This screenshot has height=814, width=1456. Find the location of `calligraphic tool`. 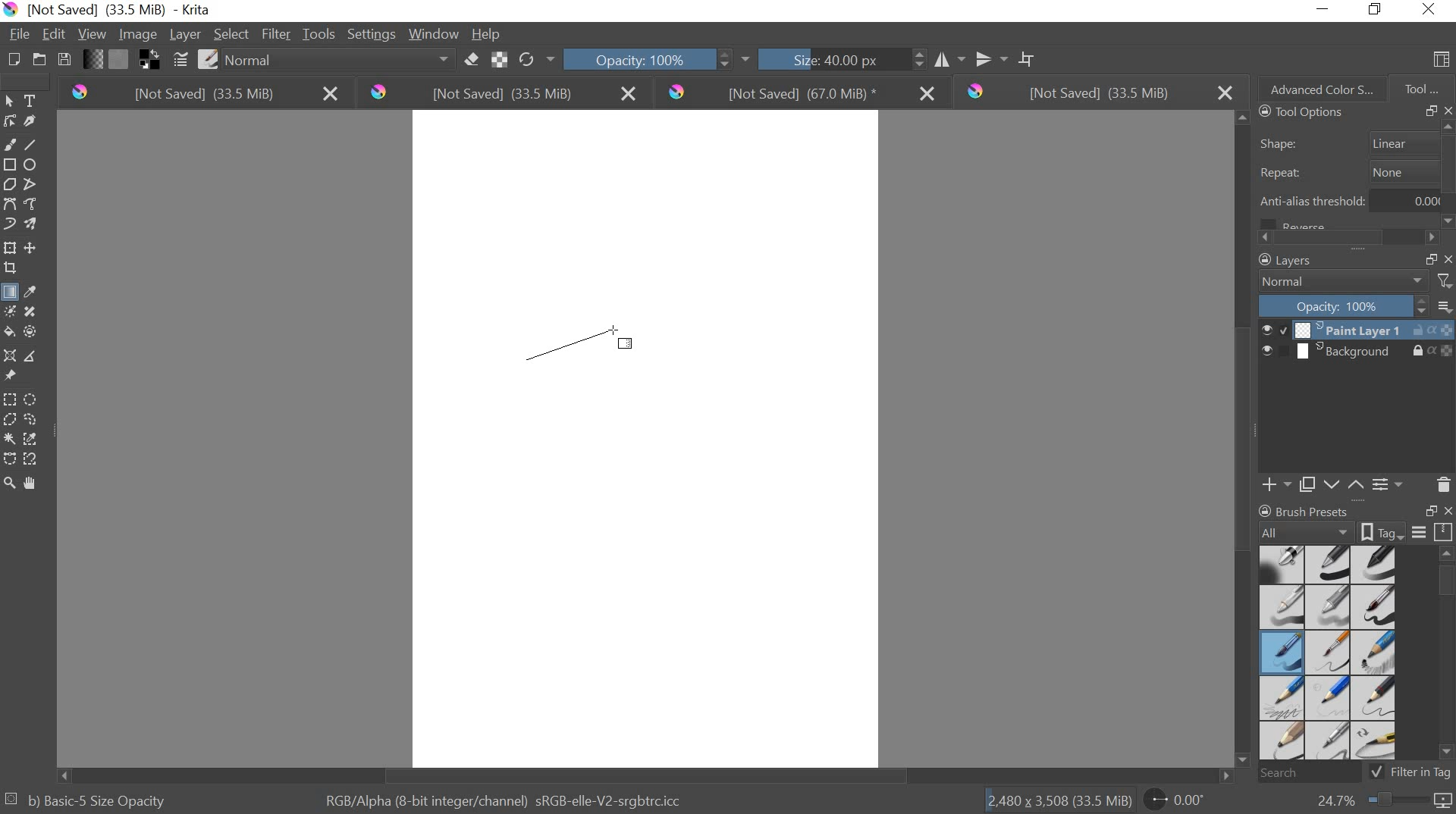

calligraphic tool is located at coordinates (33, 121).